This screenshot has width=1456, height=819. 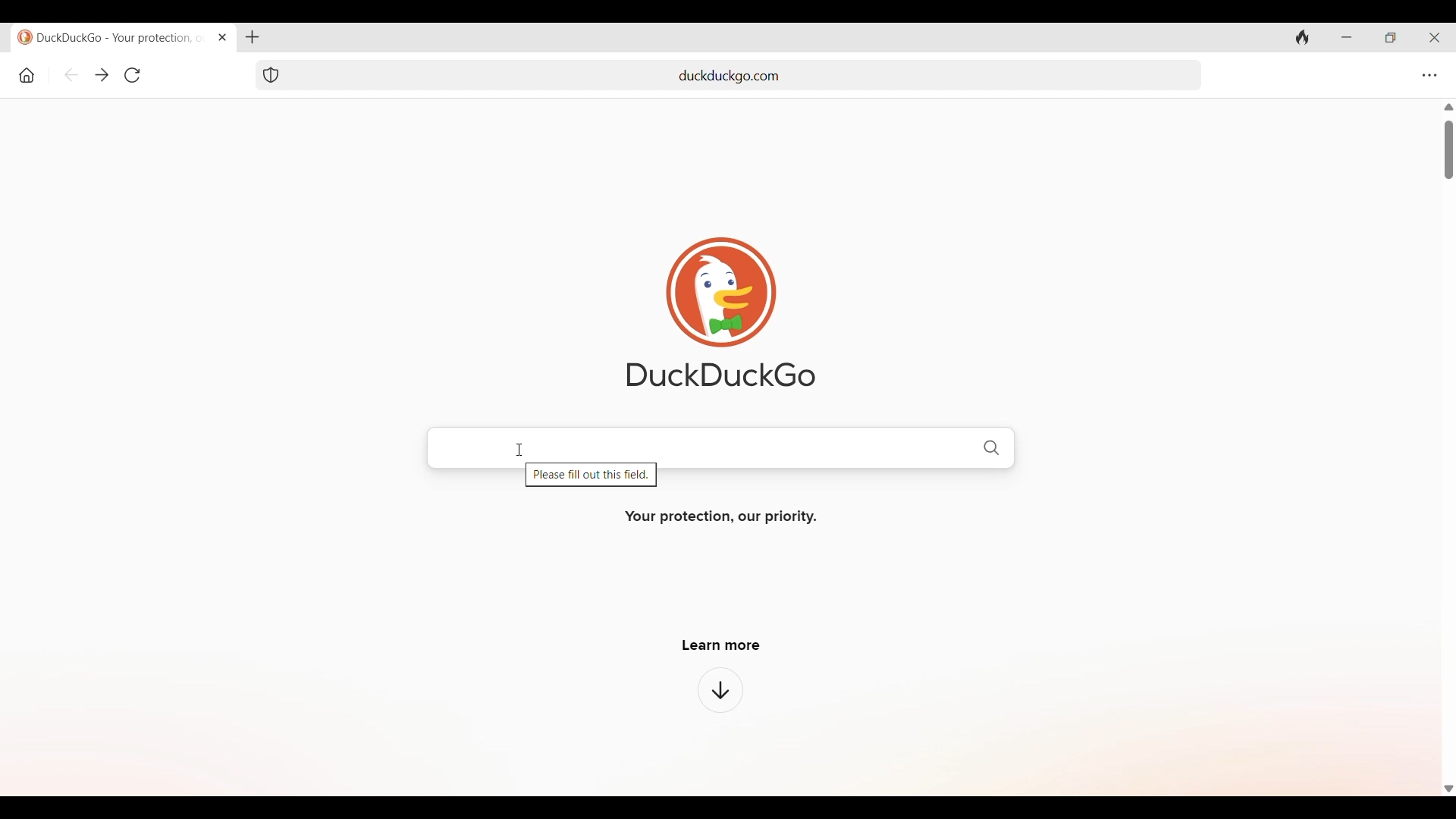 What do you see at coordinates (480, 75) in the screenshot?
I see `Search tab` at bounding box center [480, 75].